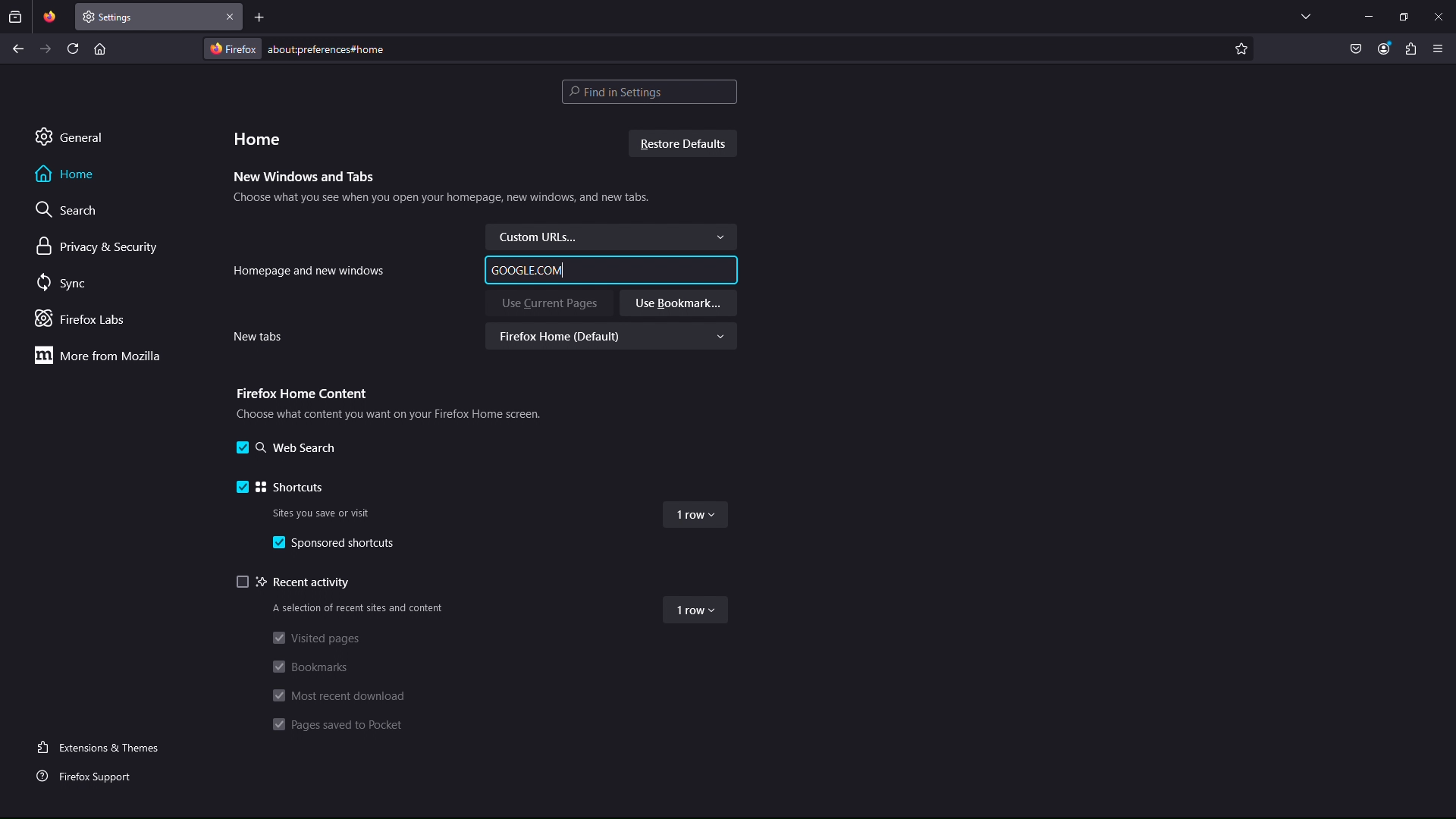 Image resolution: width=1456 pixels, height=819 pixels. Describe the element at coordinates (337, 695) in the screenshot. I see `Most recent download` at that location.